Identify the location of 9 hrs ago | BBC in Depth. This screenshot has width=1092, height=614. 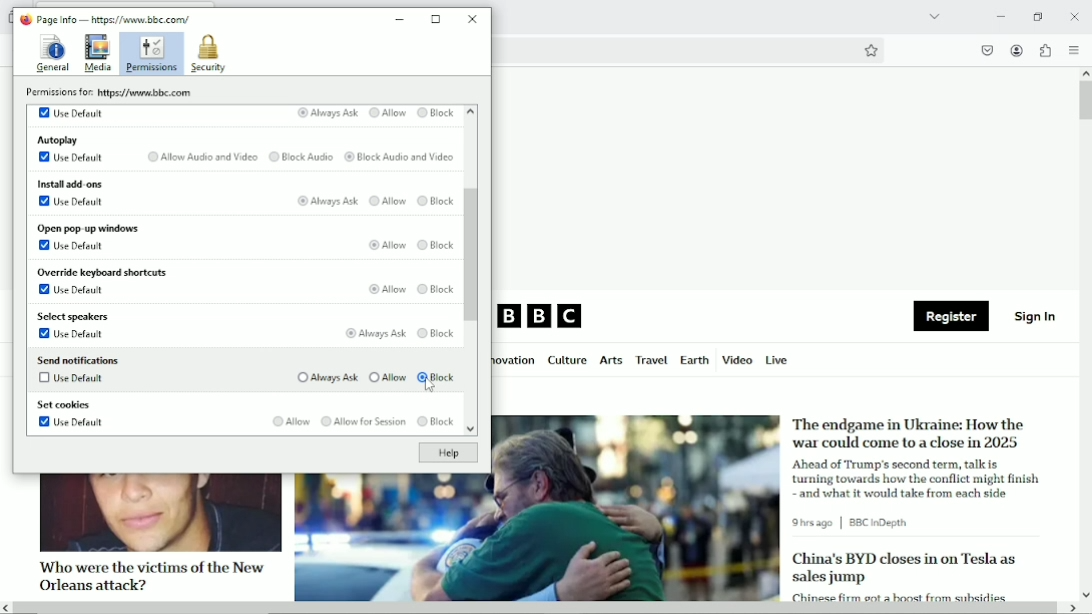
(854, 523).